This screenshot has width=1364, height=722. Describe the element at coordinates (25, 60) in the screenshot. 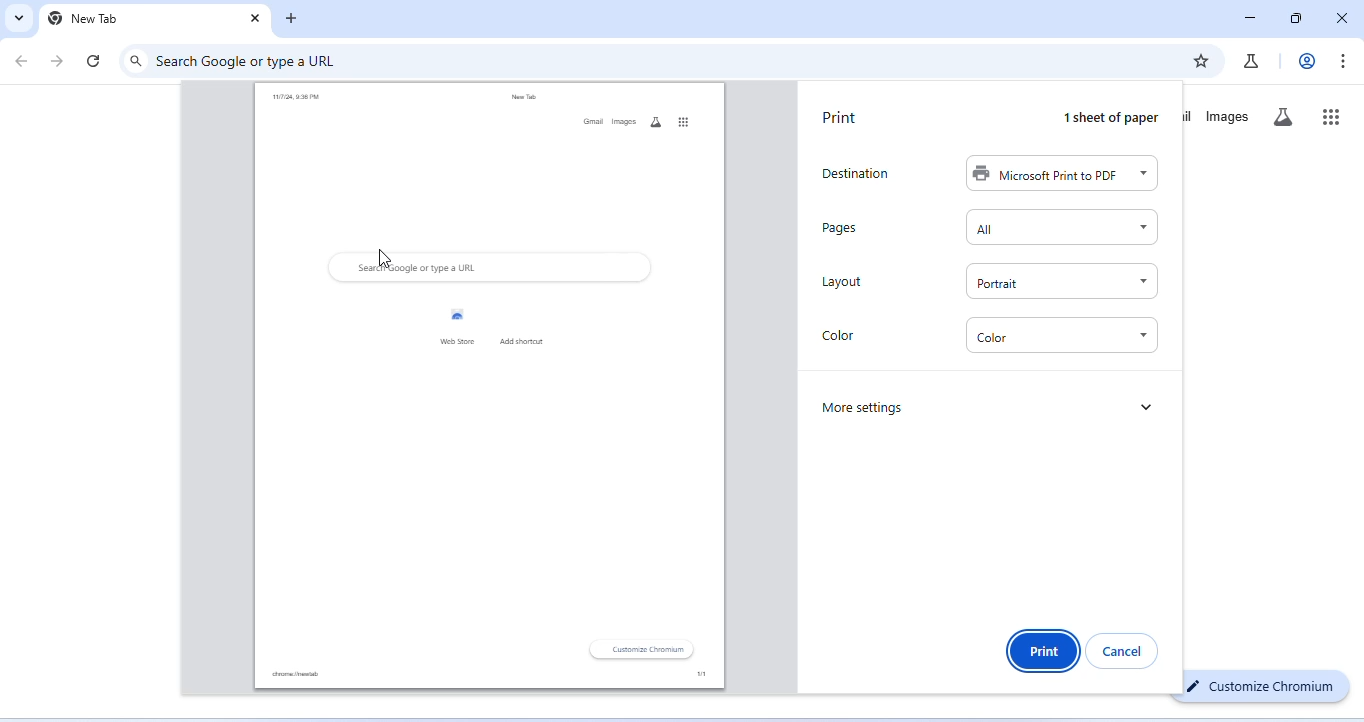

I see `go back` at that location.